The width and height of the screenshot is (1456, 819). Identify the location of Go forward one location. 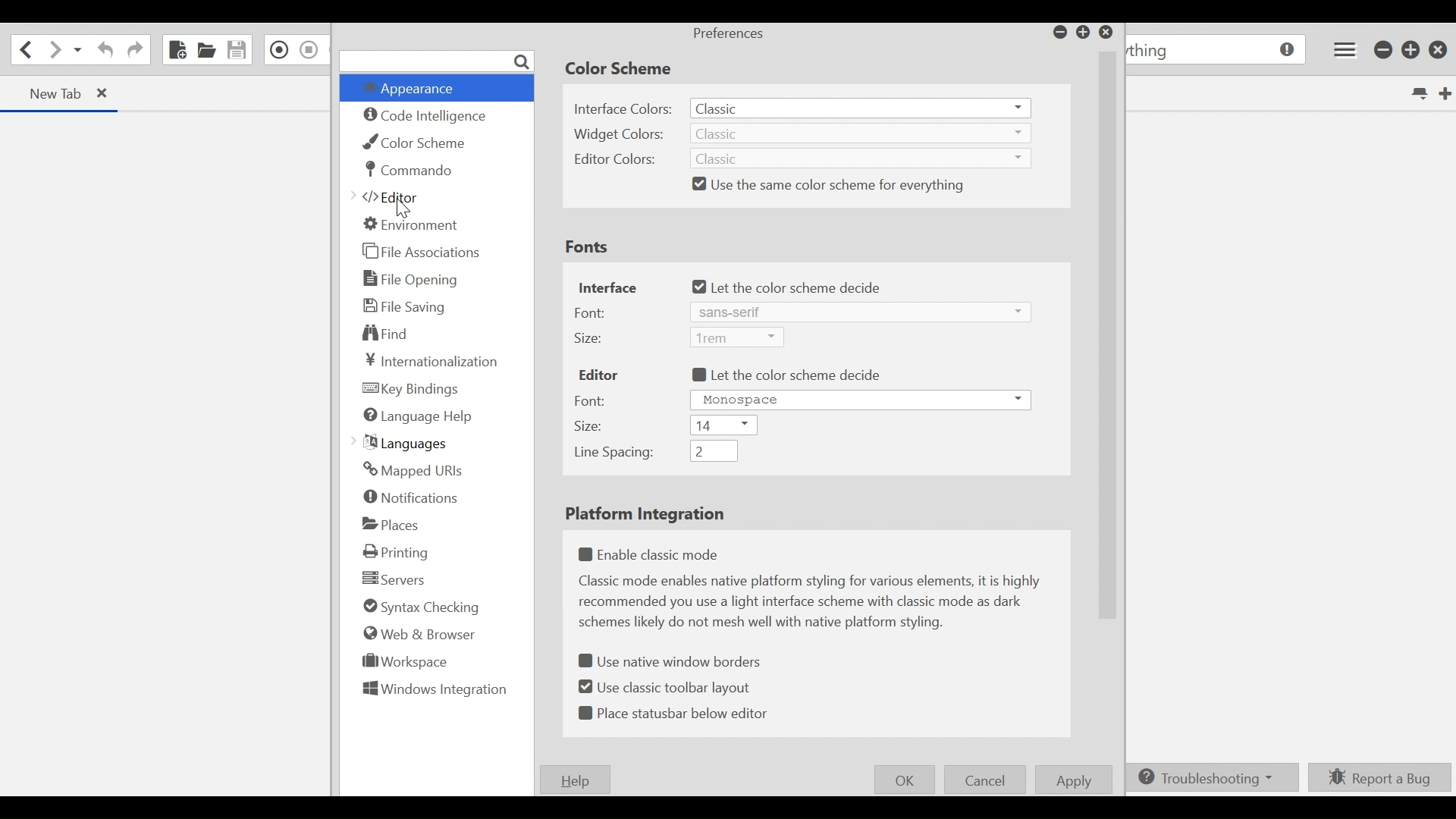
(54, 50).